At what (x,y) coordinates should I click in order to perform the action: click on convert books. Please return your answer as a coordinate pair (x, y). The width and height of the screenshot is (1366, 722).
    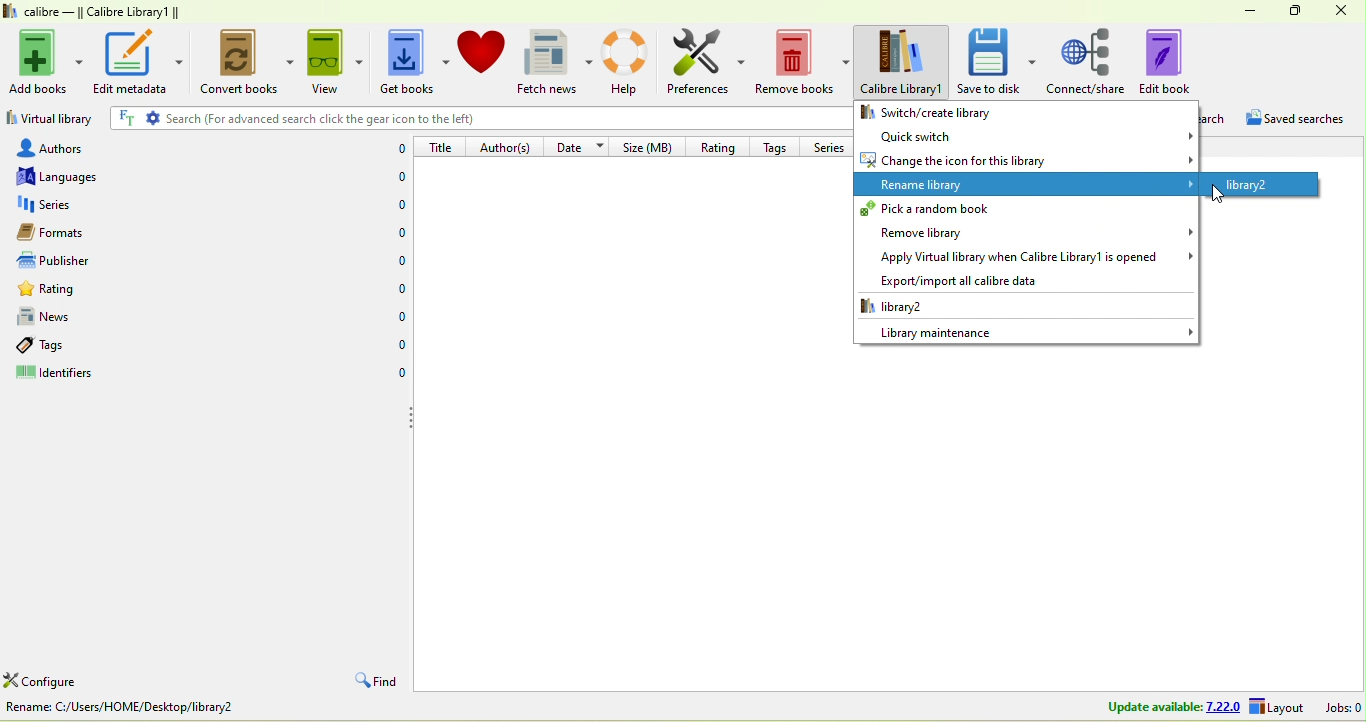
    Looking at the image, I should click on (242, 64).